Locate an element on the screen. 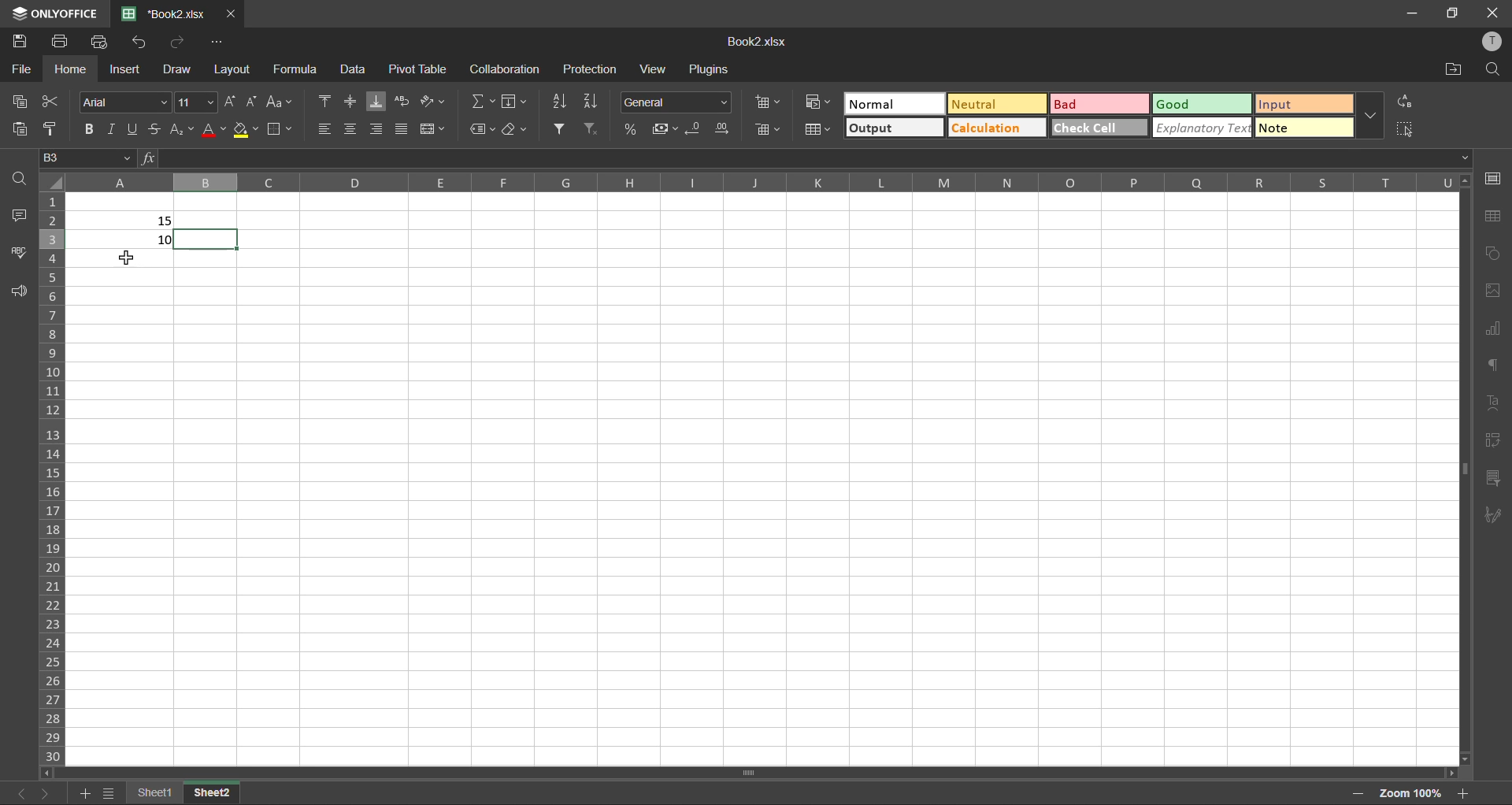 Image resolution: width=1512 pixels, height=805 pixels. merge and center is located at coordinates (438, 131).